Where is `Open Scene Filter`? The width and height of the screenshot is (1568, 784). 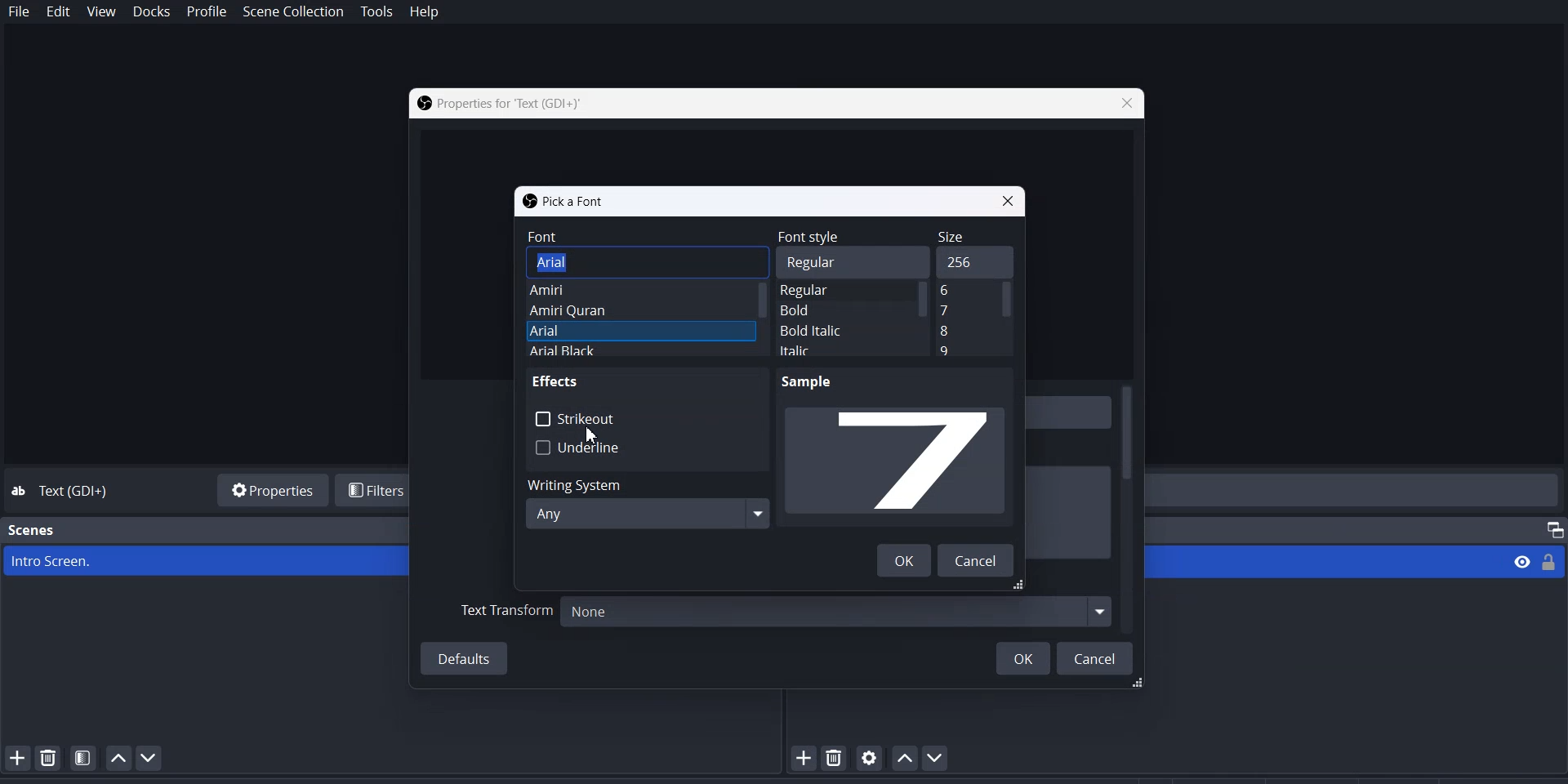
Open Scene Filter is located at coordinates (83, 757).